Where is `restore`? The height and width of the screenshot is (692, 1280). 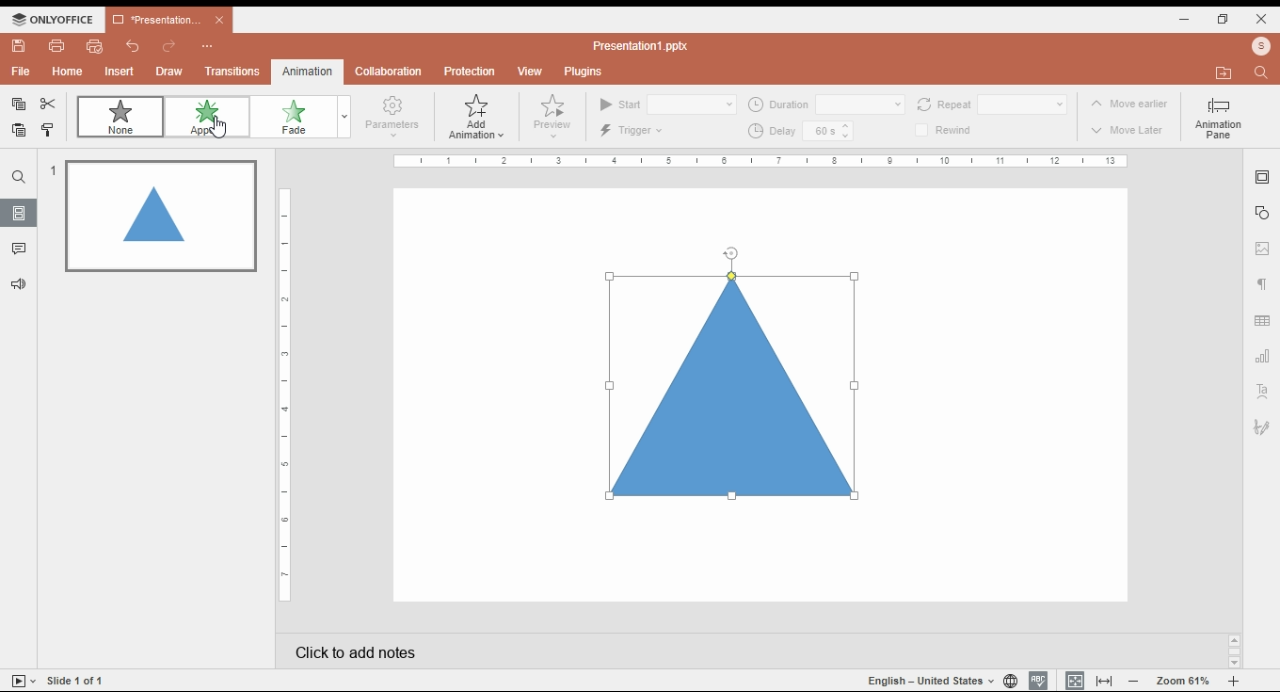
restore is located at coordinates (1224, 19).